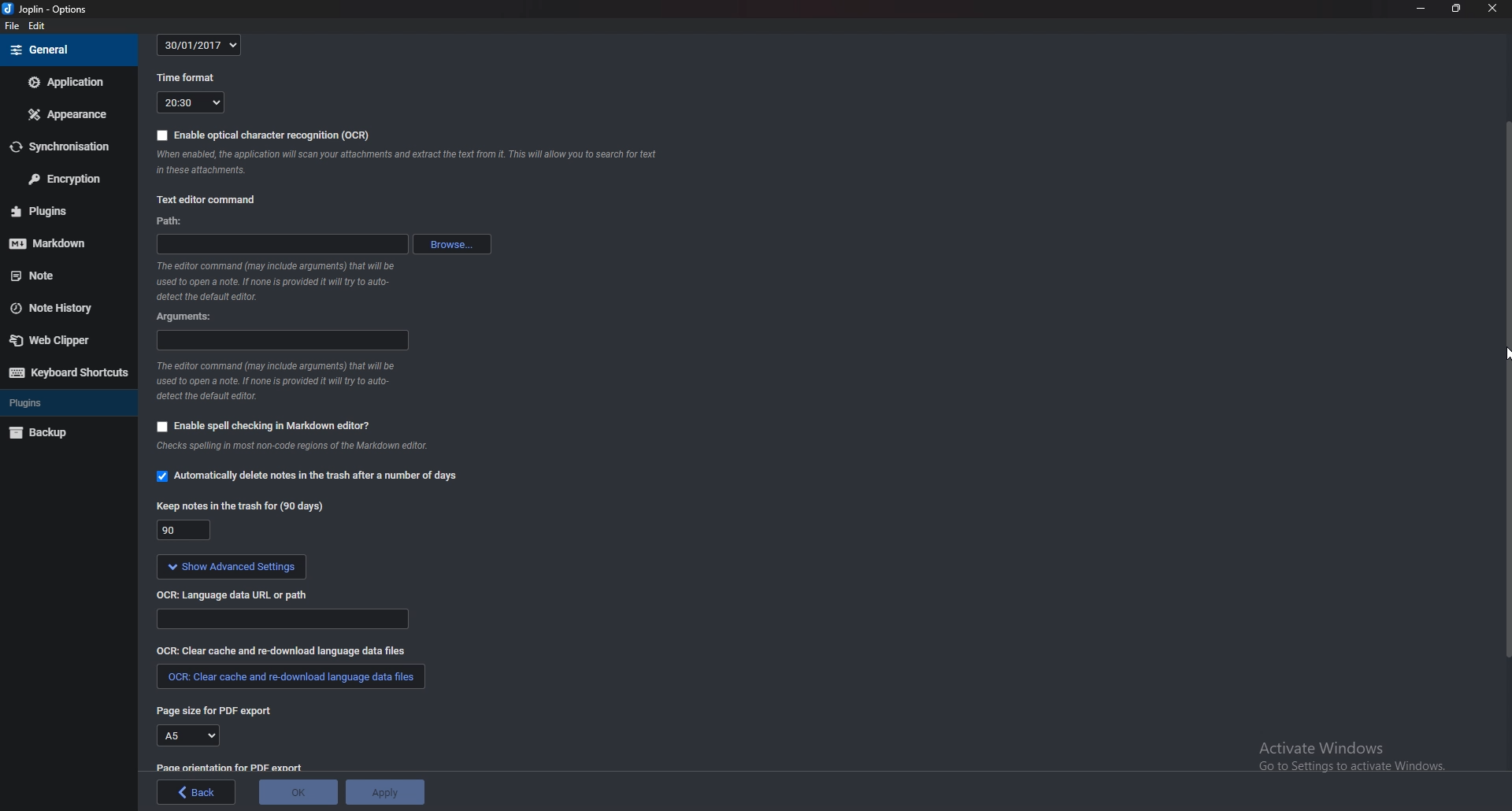 The width and height of the screenshot is (1512, 811). What do you see at coordinates (1422, 9) in the screenshot?
I see `Minimize` at bounding box center [1422, 9].